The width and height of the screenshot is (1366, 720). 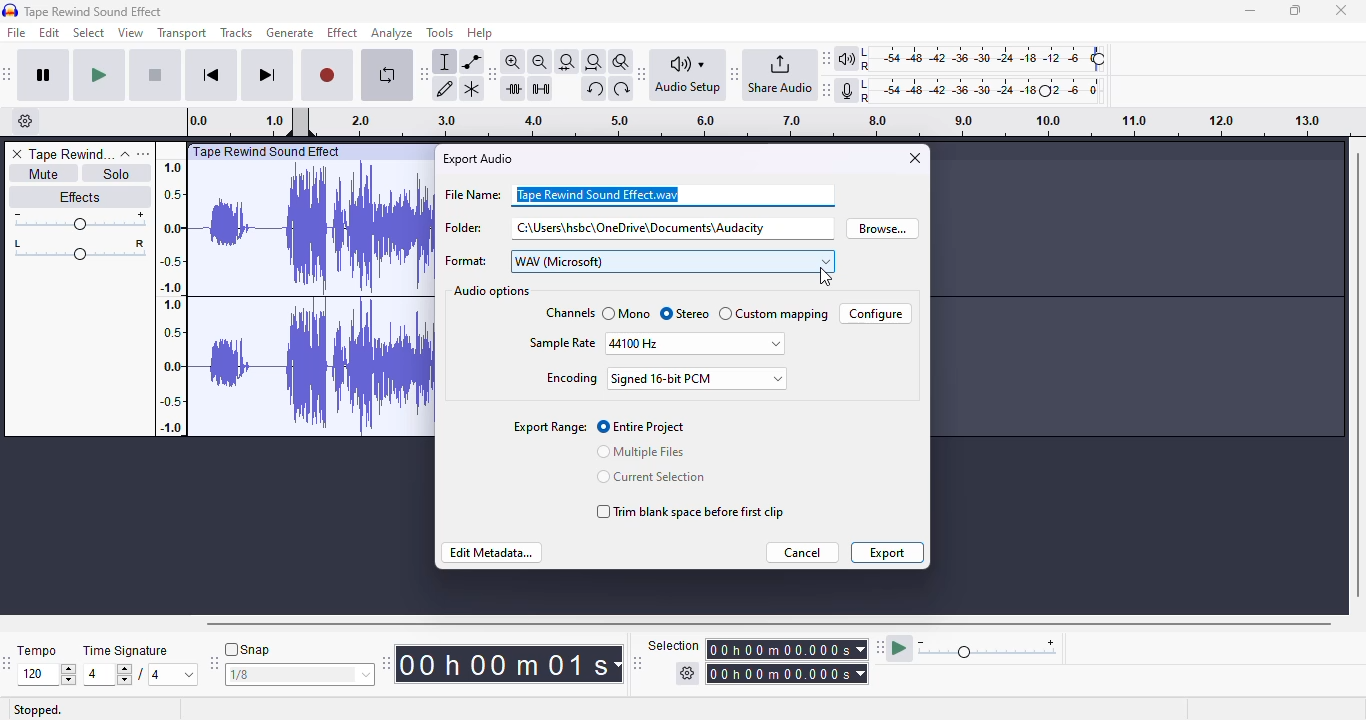 What do you see at coordinates (11, 10) in the screenshot?
I see `logo` at bounding box center [11, 10].